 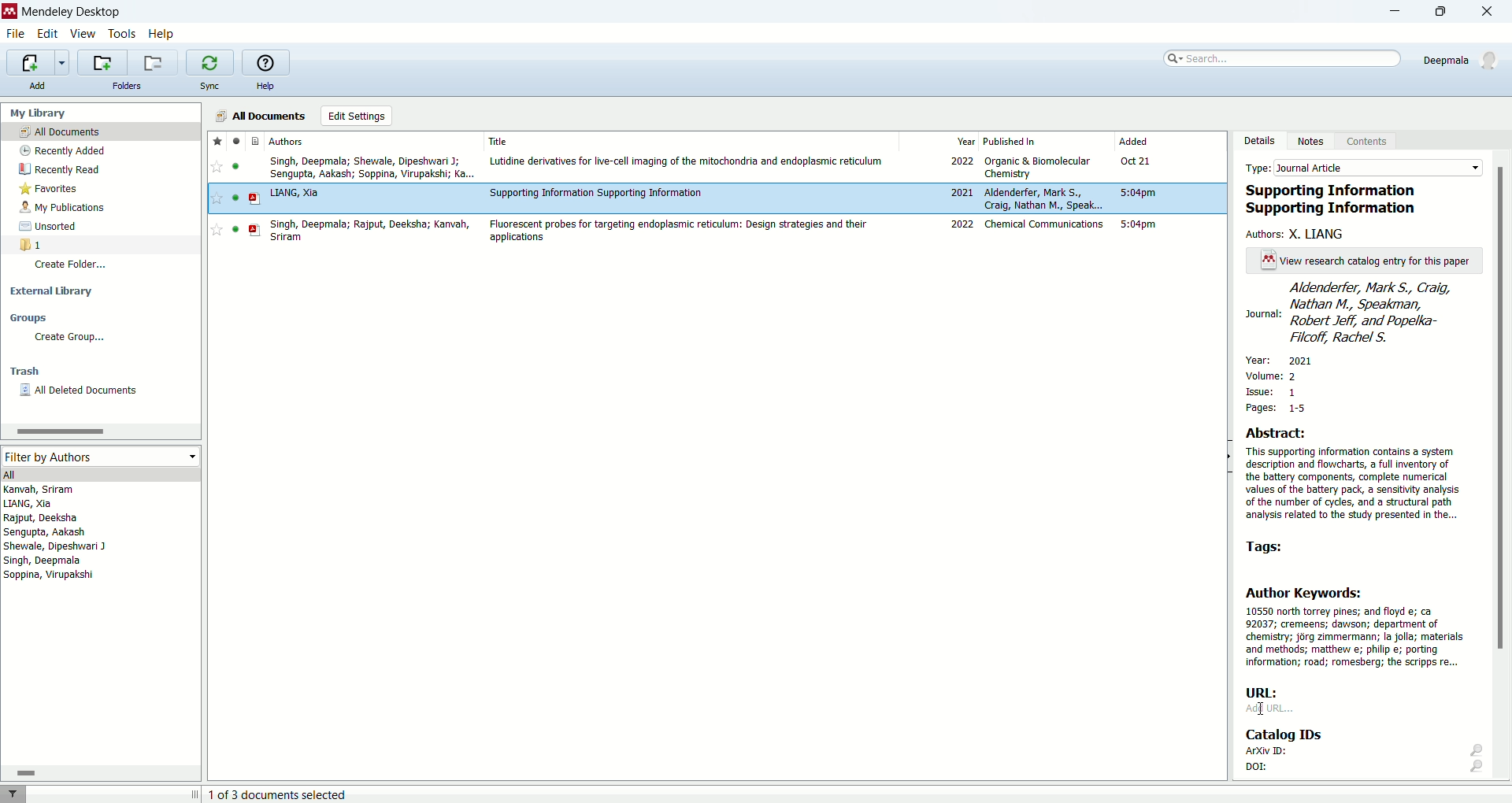 What do you see at coordinates (57, 171) in the screenshot?
I see `recently read` at bounding box center [57, 171].